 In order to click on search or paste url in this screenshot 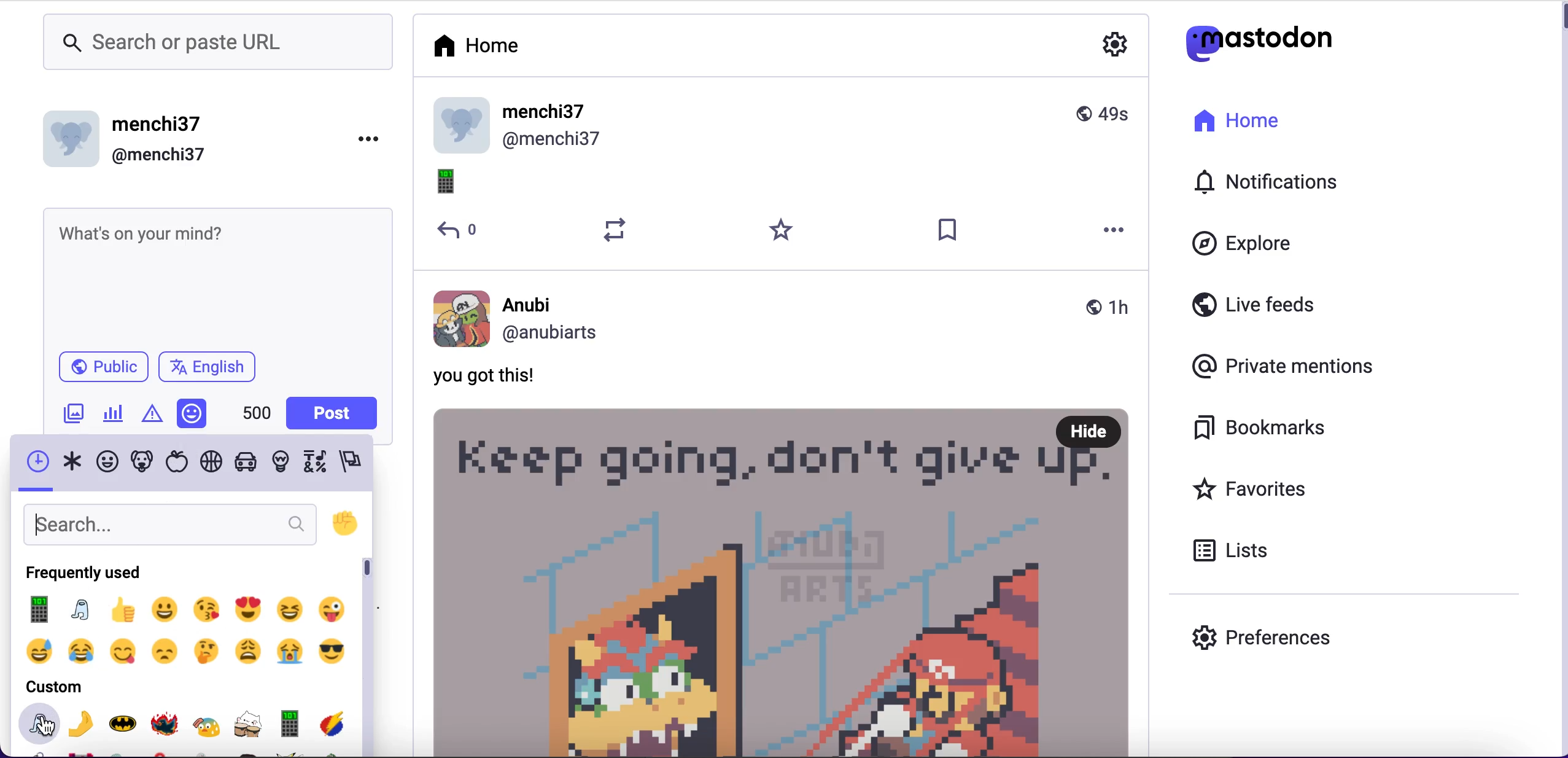, I will do `click(217, 44)`.